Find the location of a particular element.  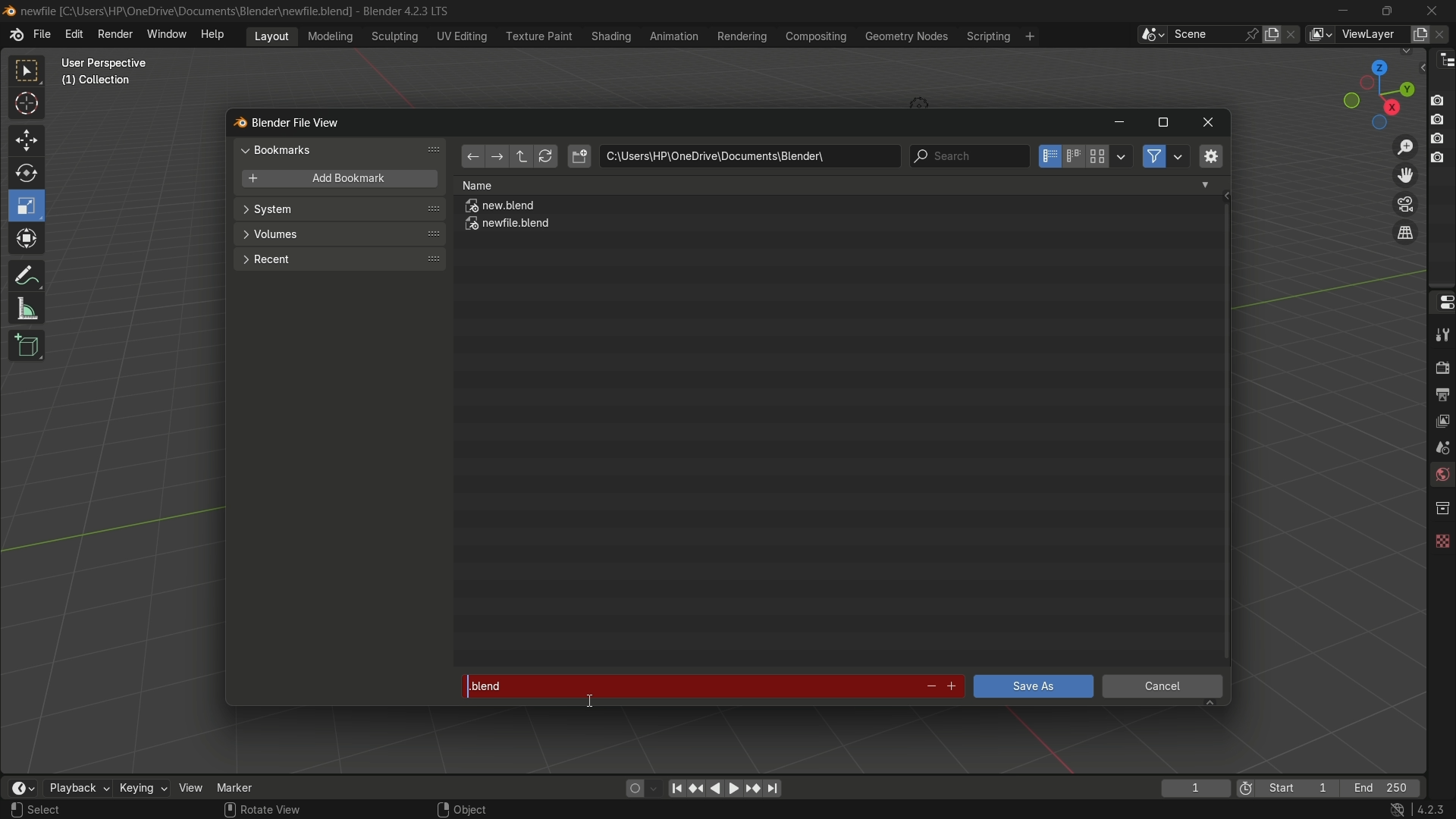

transform is located at coordinates (28, 240).